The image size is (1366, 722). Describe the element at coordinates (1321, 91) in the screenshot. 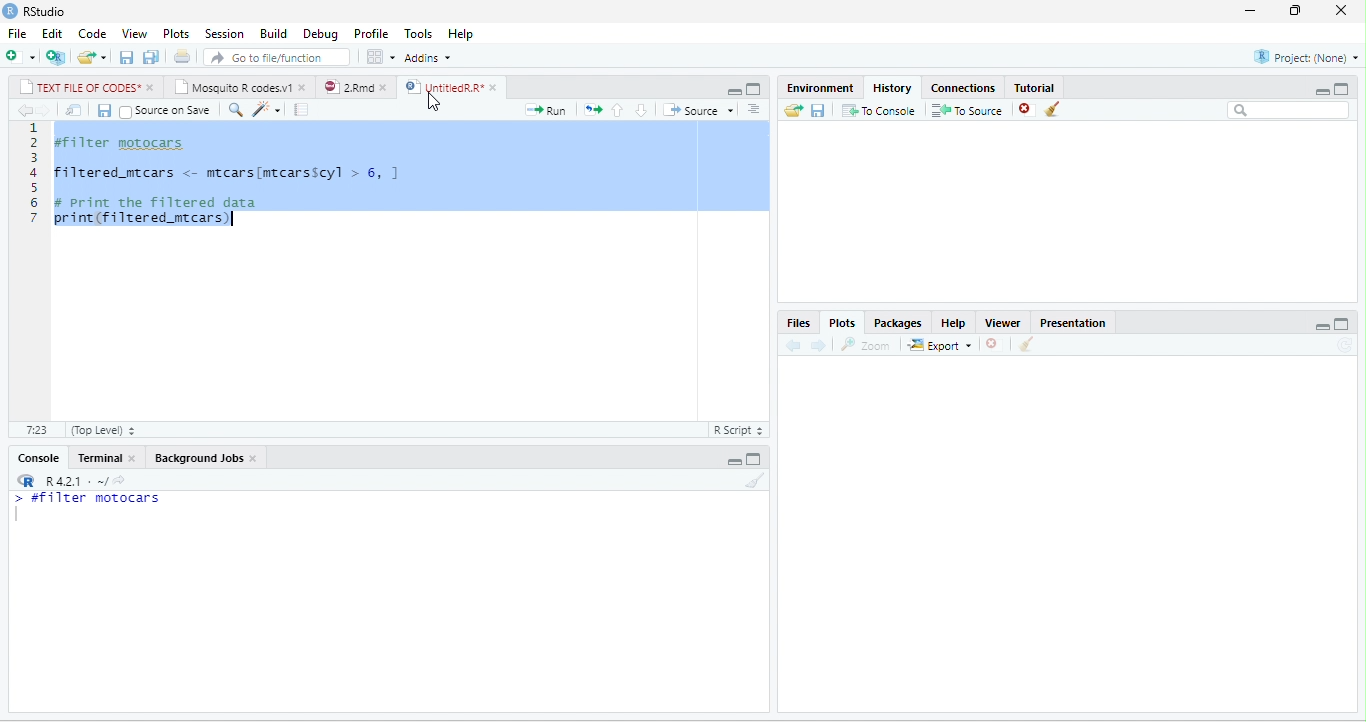

I see `minimize` at that location.